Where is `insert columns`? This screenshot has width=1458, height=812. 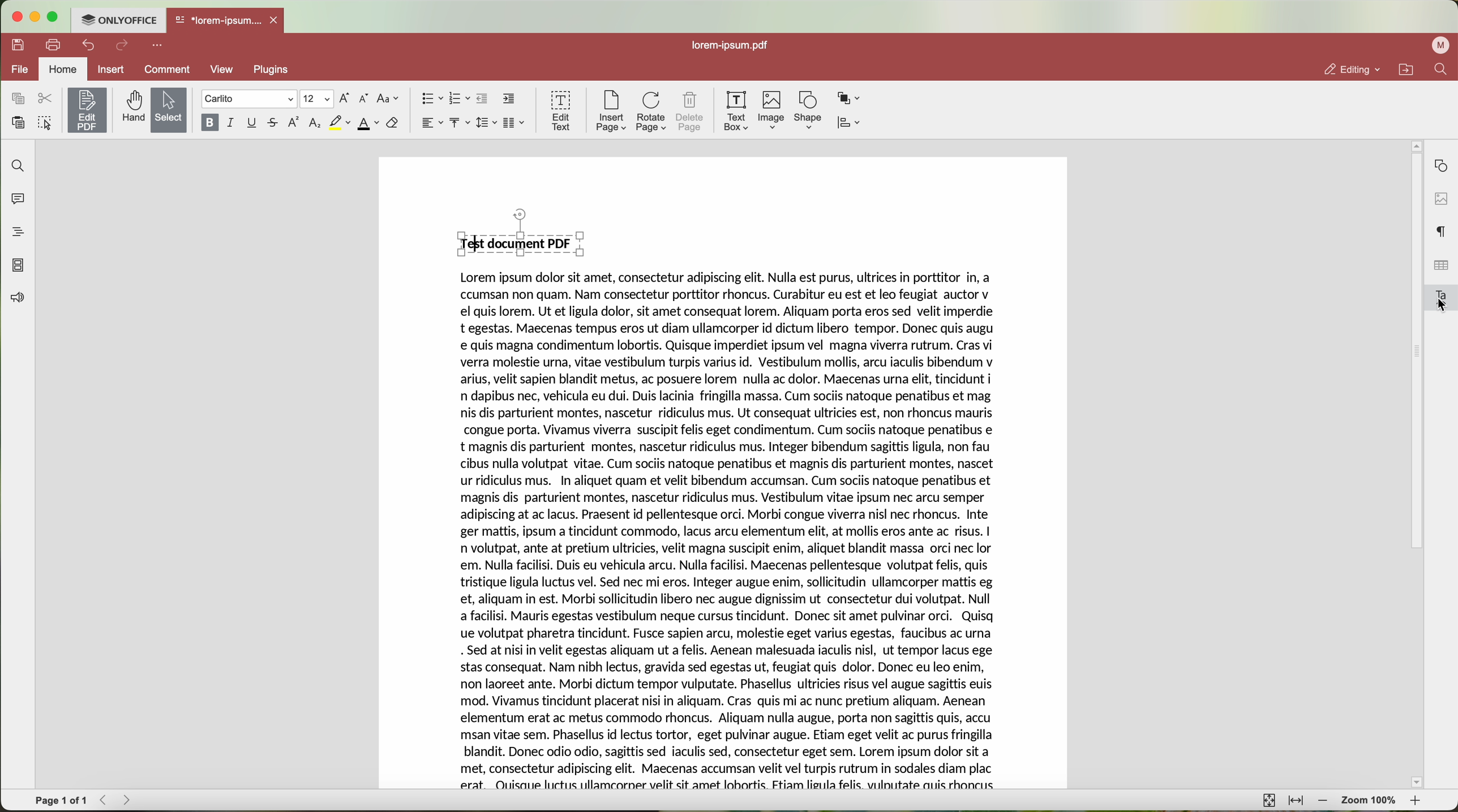
insert columns is located at coordinates (516, 123).